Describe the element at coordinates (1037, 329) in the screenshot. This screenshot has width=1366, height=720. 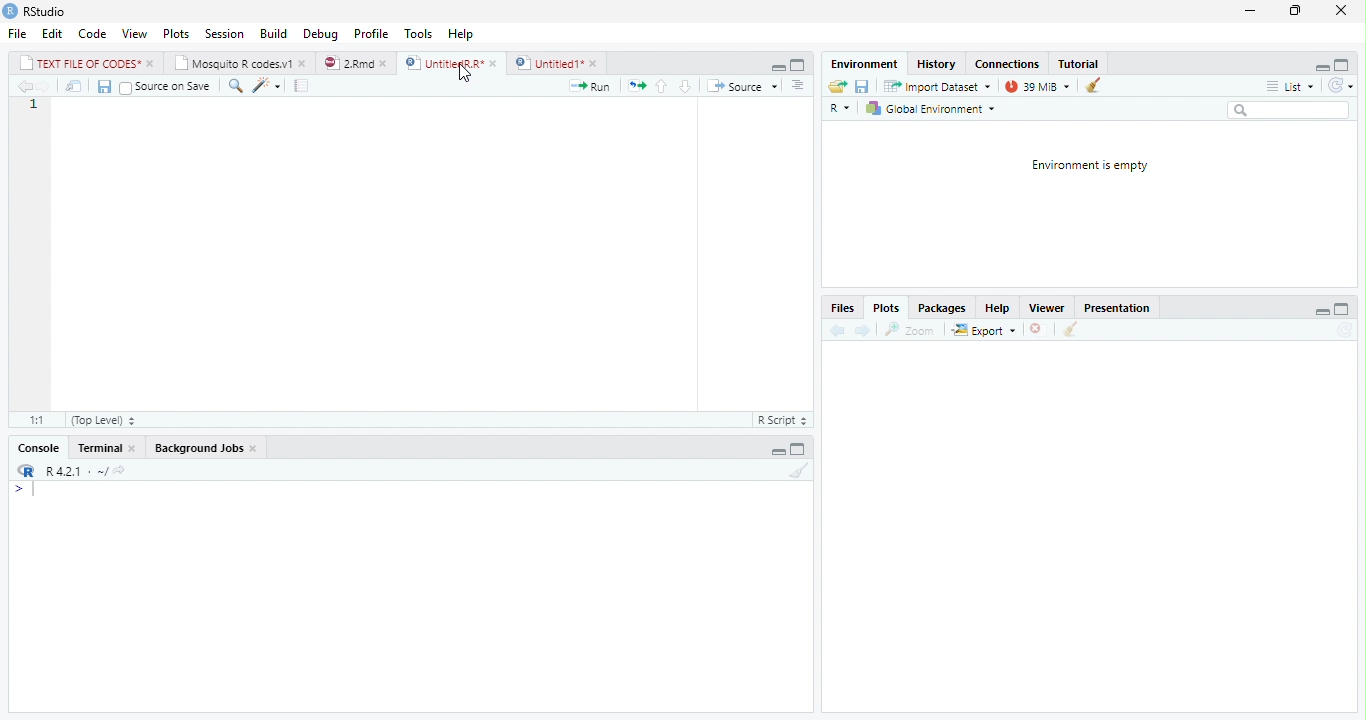
I see `Delete` at that location.